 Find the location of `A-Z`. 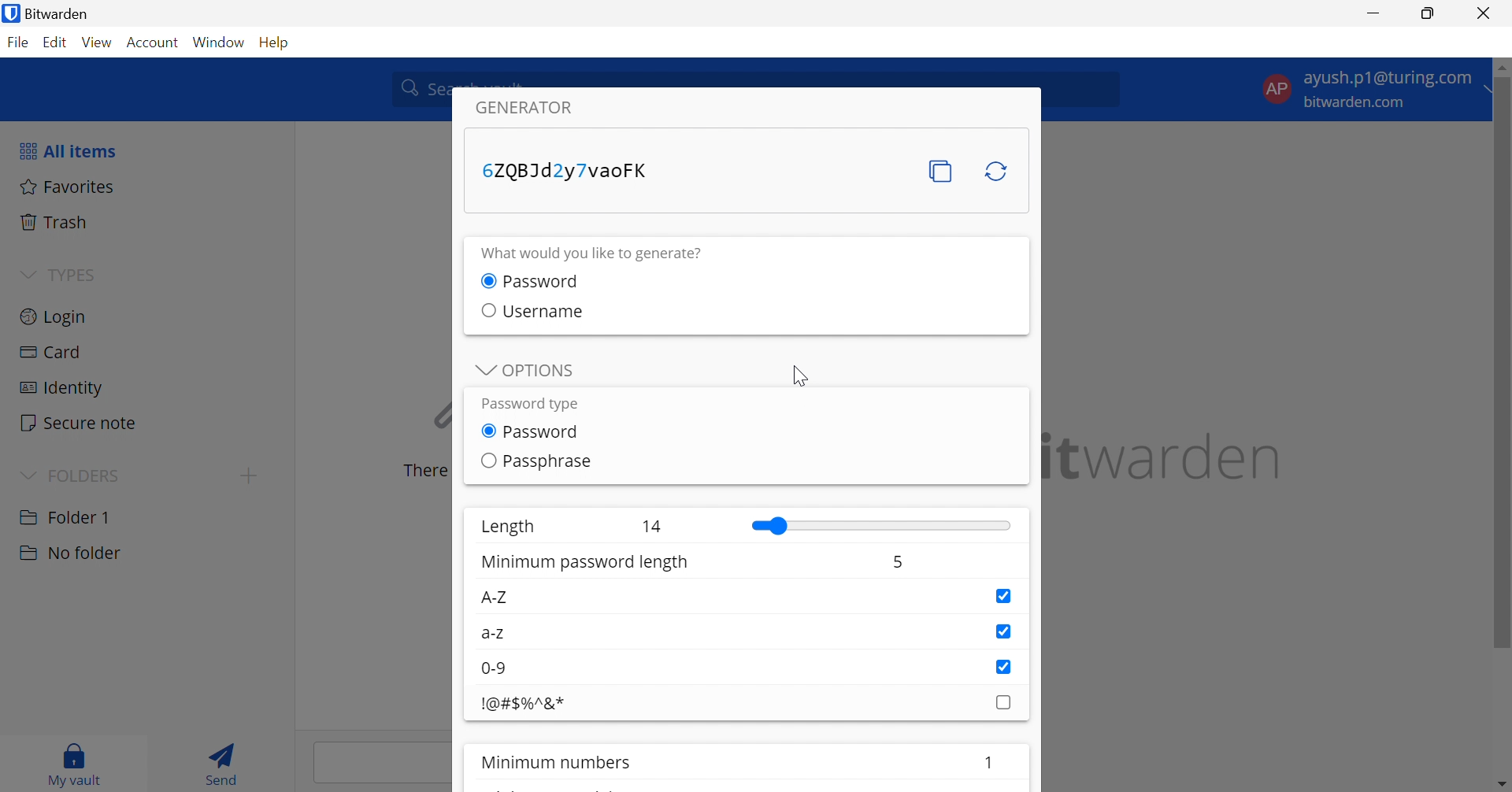

A-Z is located at coordinates (494, 598).